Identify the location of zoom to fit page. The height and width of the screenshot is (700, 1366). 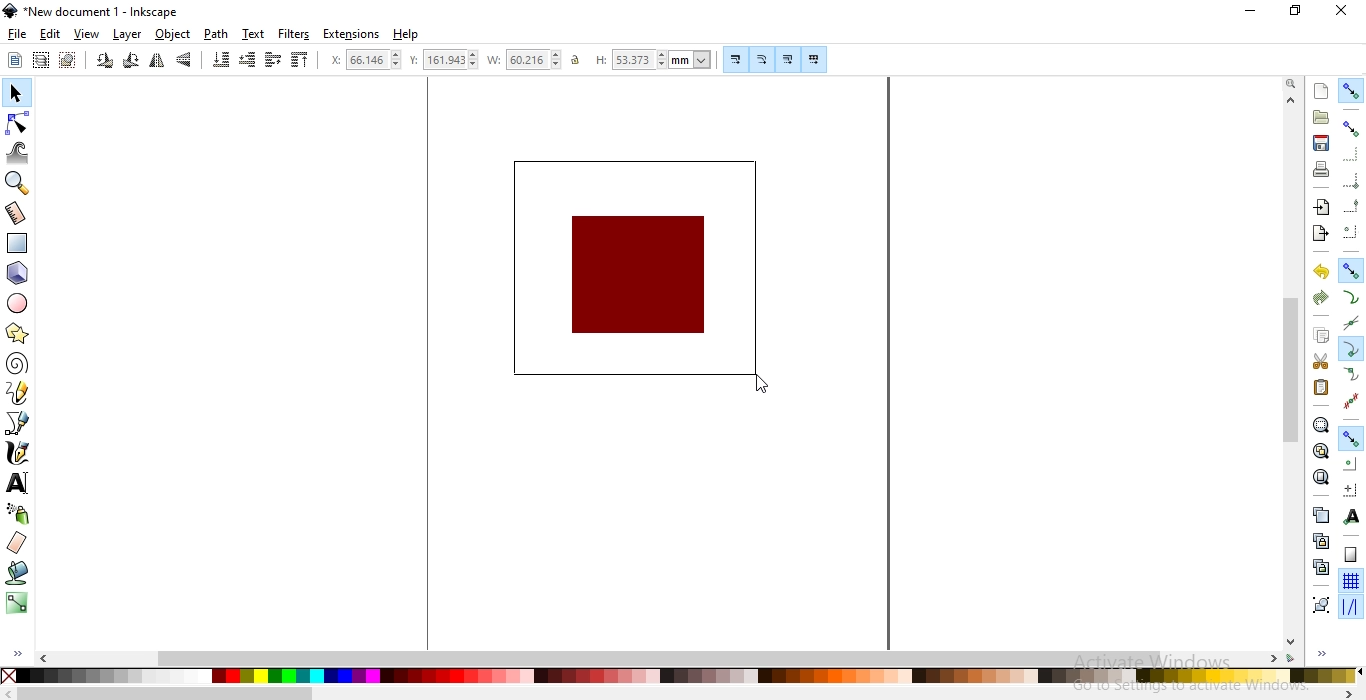
(1320, 477).